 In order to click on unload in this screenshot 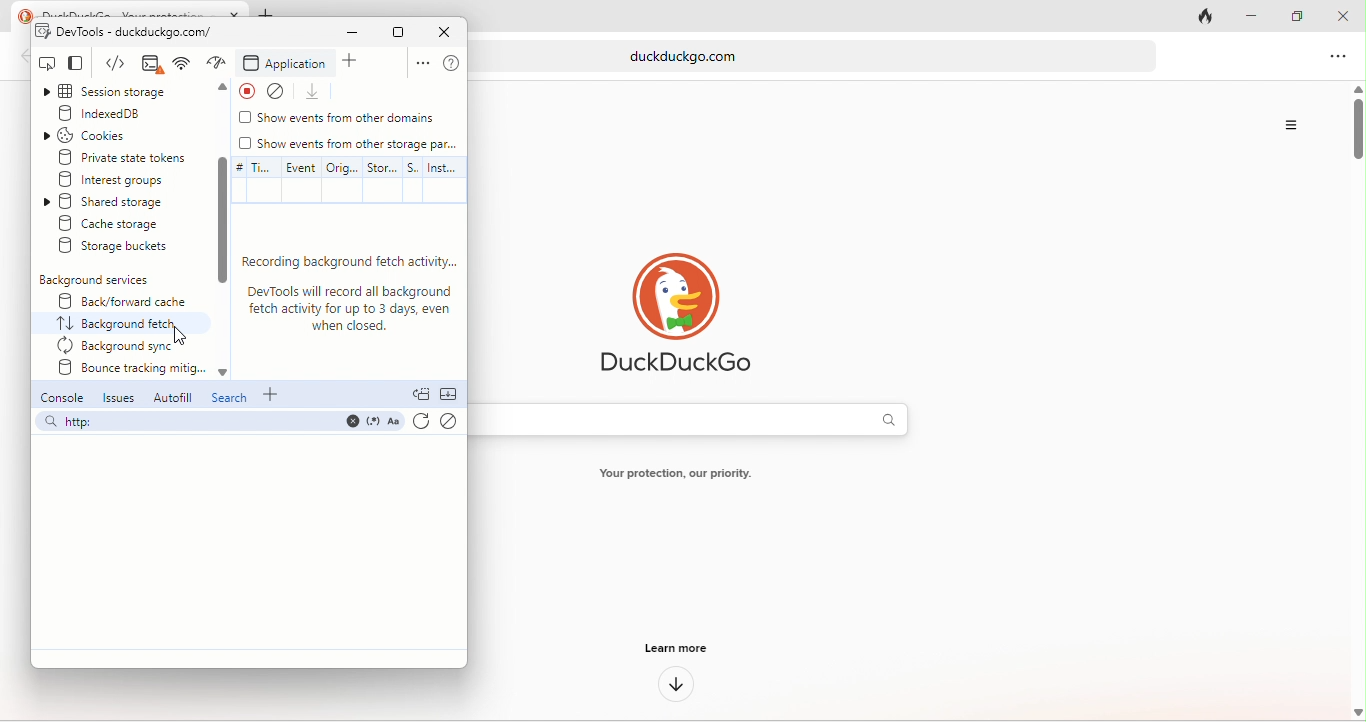, I will do `click(317, 92)`.